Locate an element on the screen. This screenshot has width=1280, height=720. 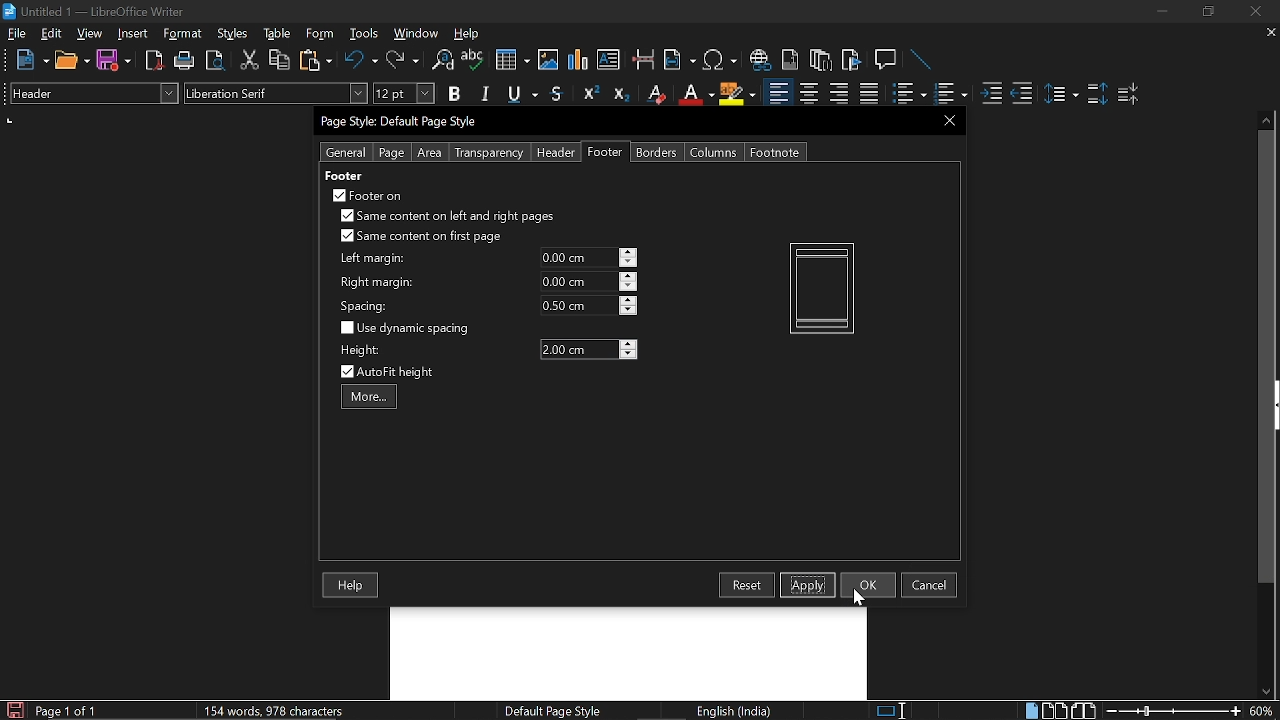
Subscript is located at coordinates (620, 94).